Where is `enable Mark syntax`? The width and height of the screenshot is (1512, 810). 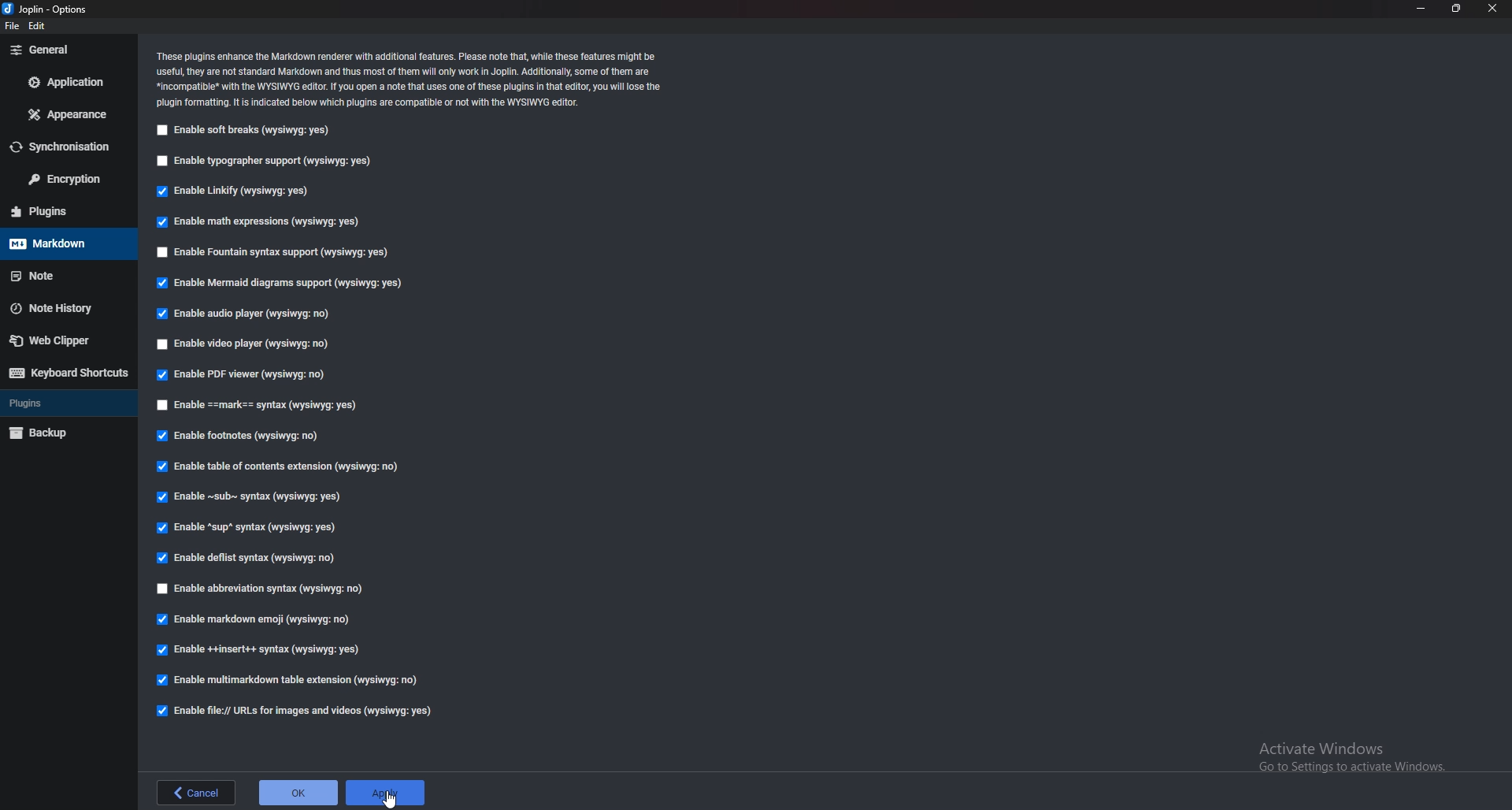 enable Mark syntax is located at coordinates (272, 405).